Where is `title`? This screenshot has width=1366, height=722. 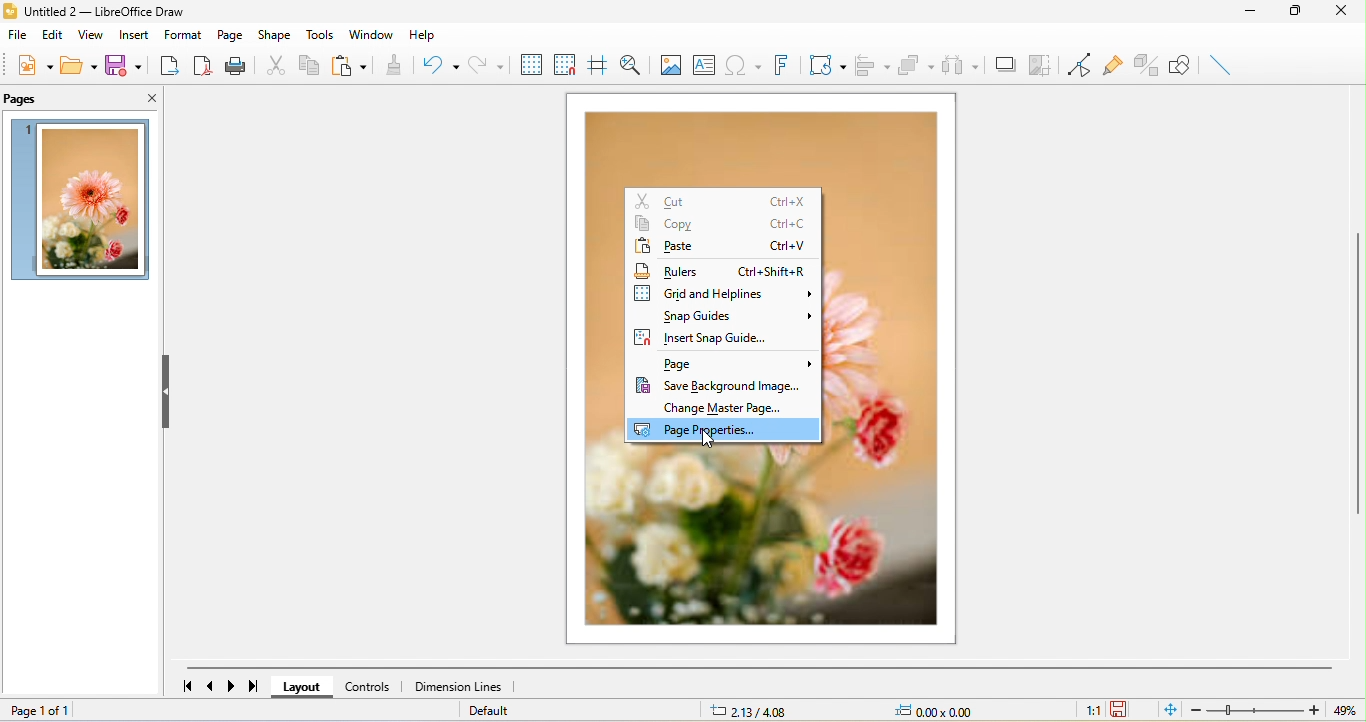
title is located at coordinates (102, 13).